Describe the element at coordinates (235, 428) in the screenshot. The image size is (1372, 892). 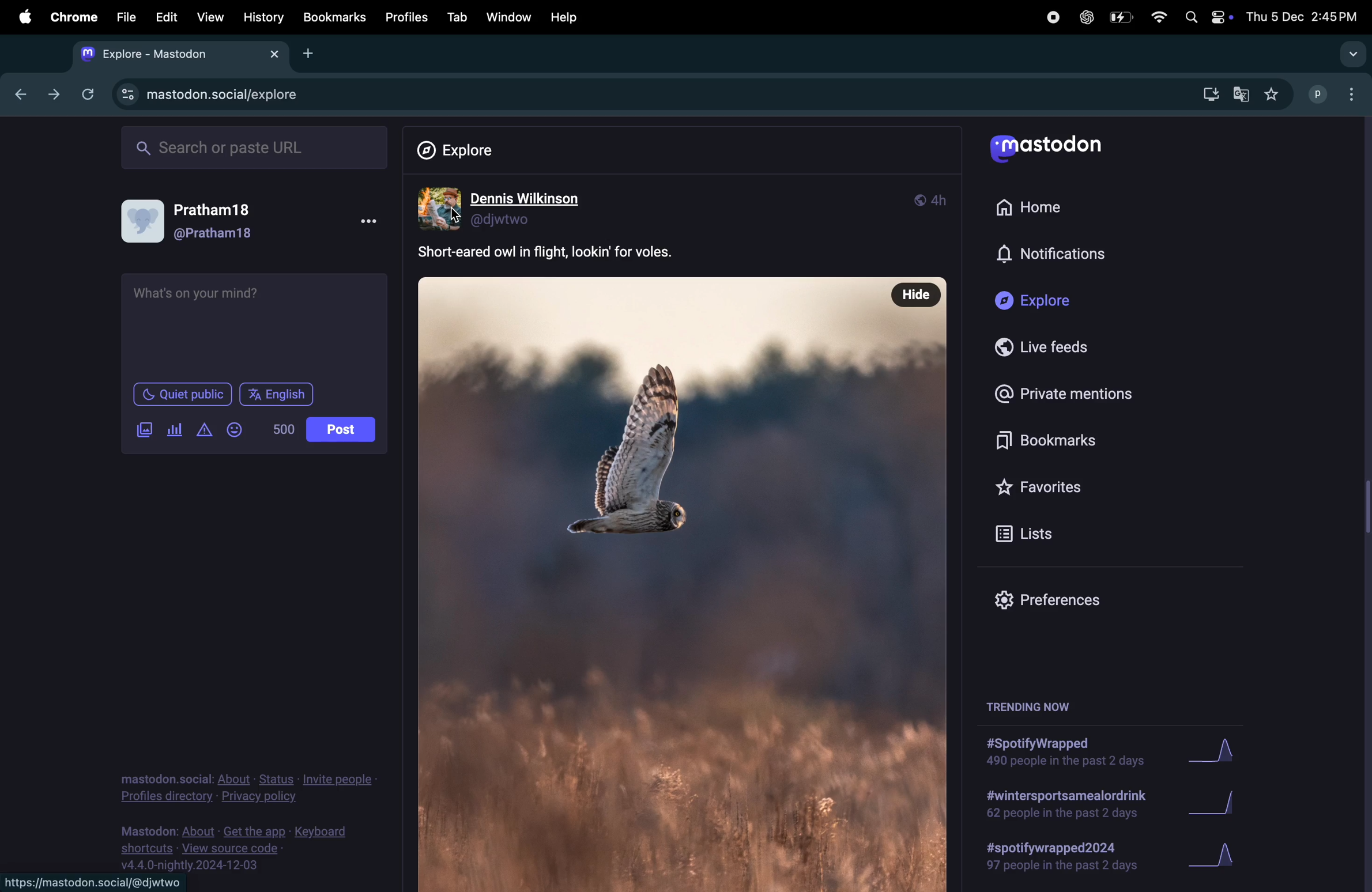
I see `emoji` at that location.